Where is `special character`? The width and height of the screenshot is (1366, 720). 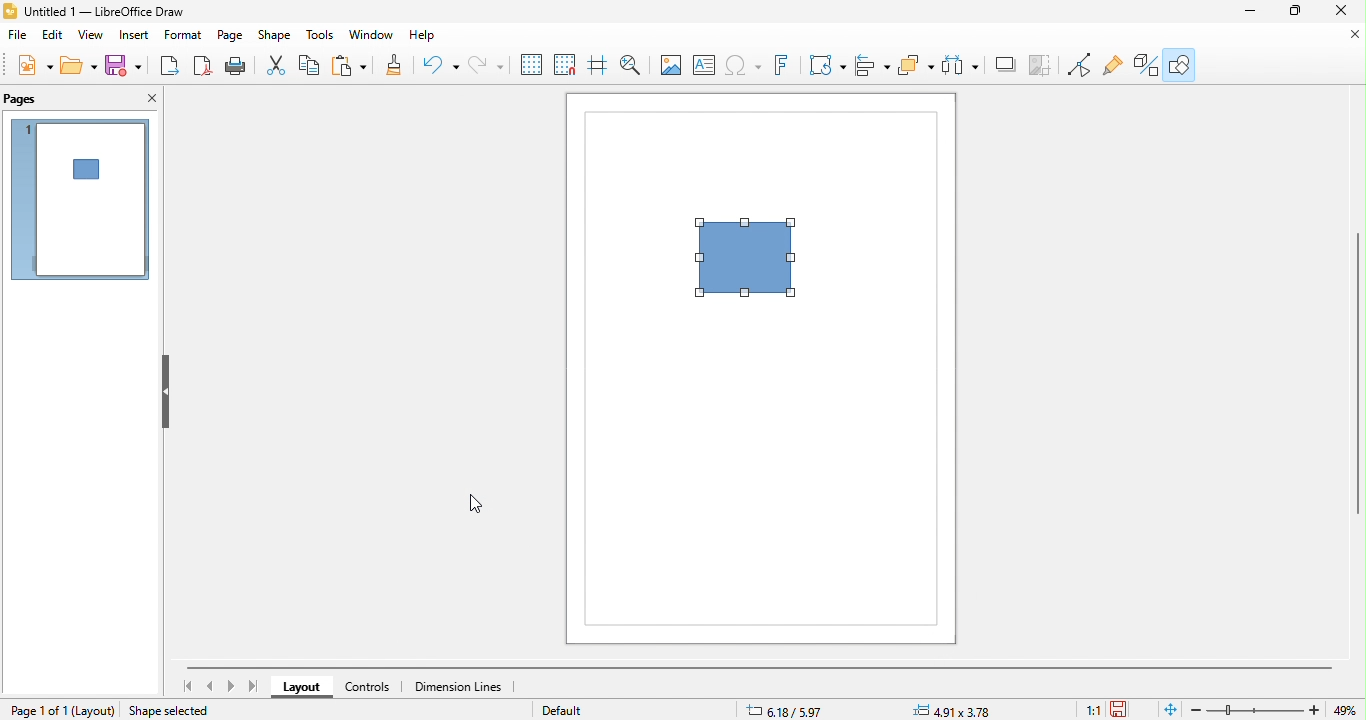
special character is located at coordinates (745, 66).